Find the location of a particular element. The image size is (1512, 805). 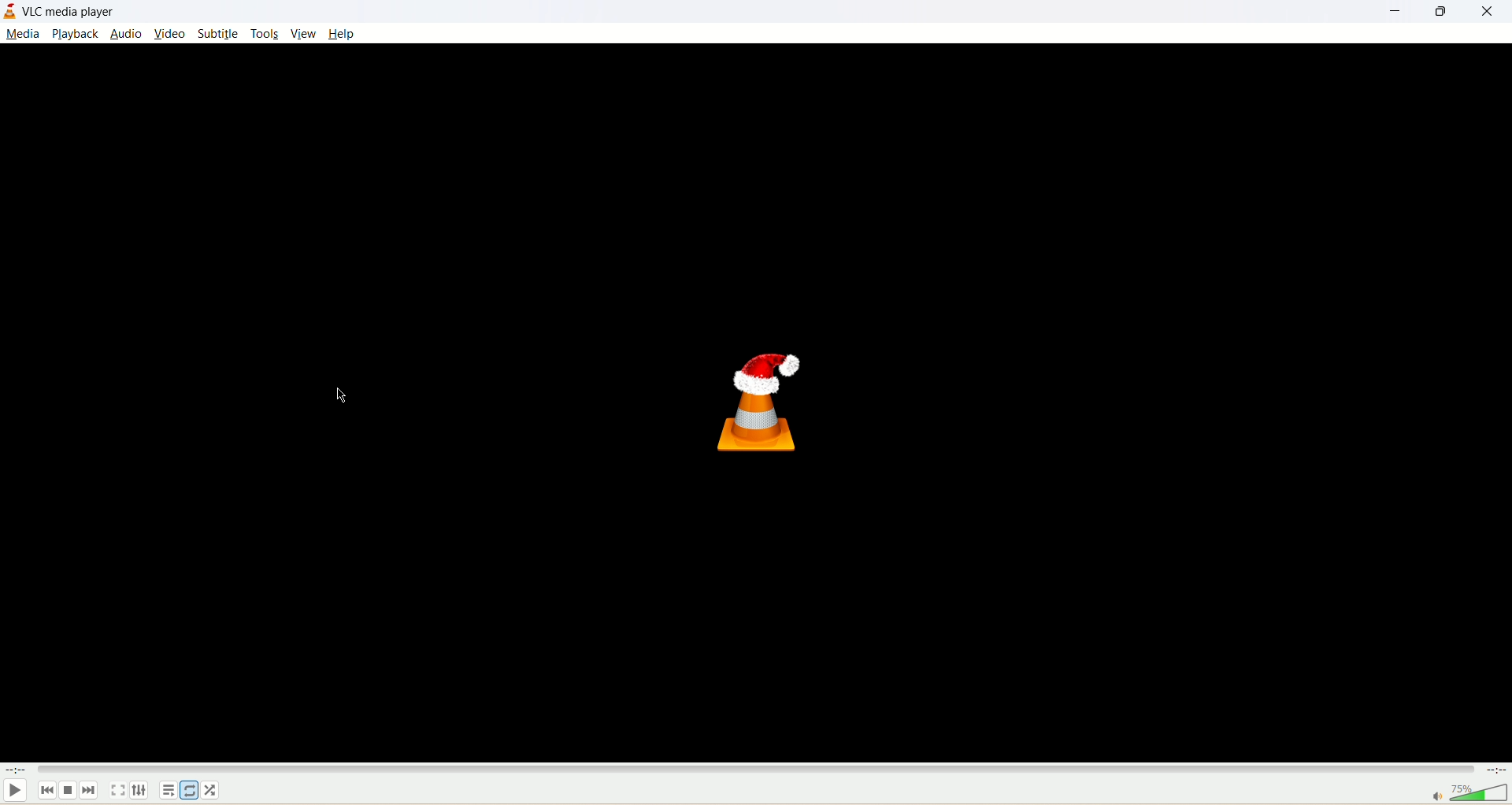

help is located at coordinates (343, 35).